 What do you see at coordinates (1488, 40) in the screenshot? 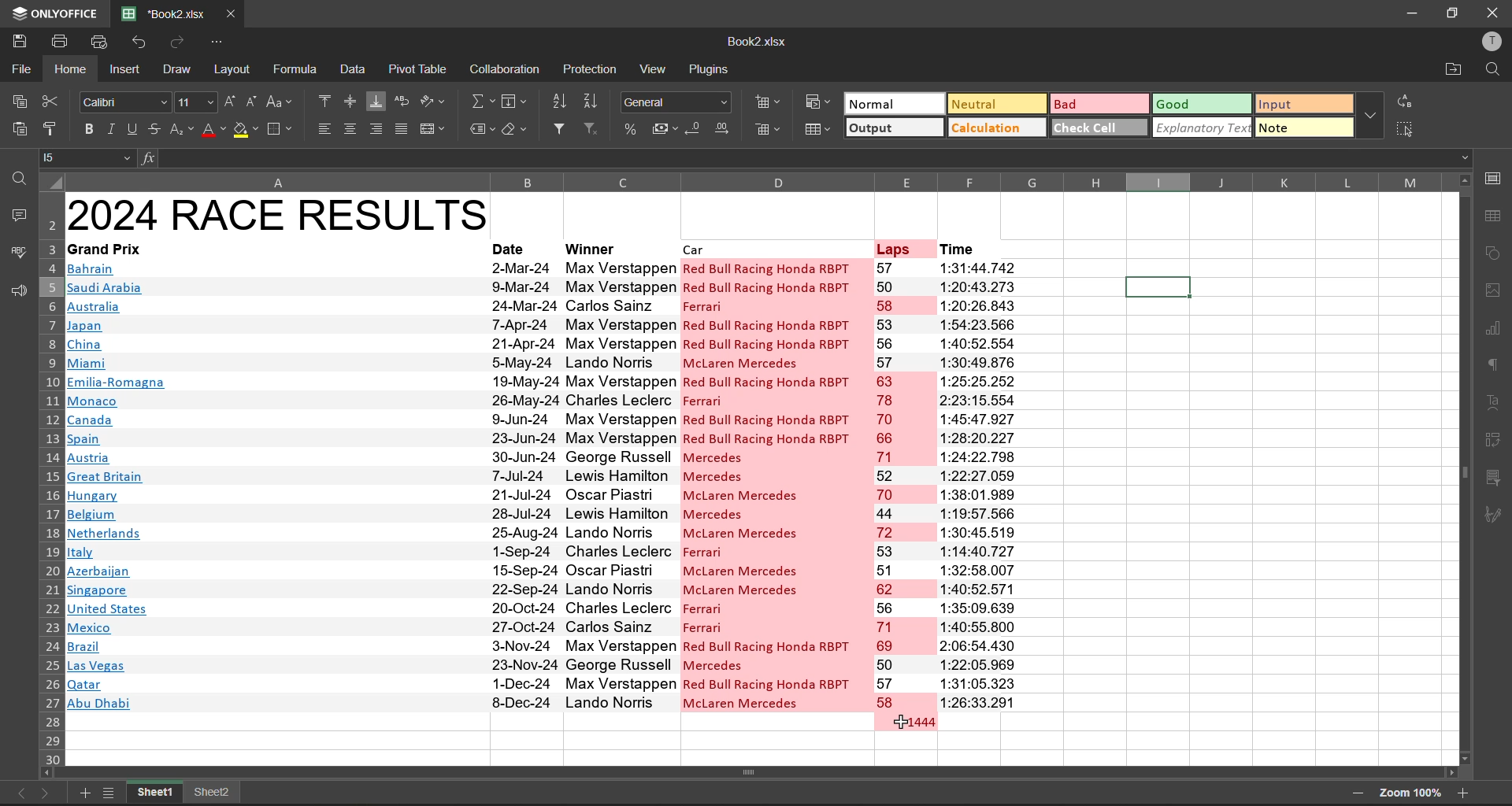
I see `profile` at bounding box center [1488, 40].